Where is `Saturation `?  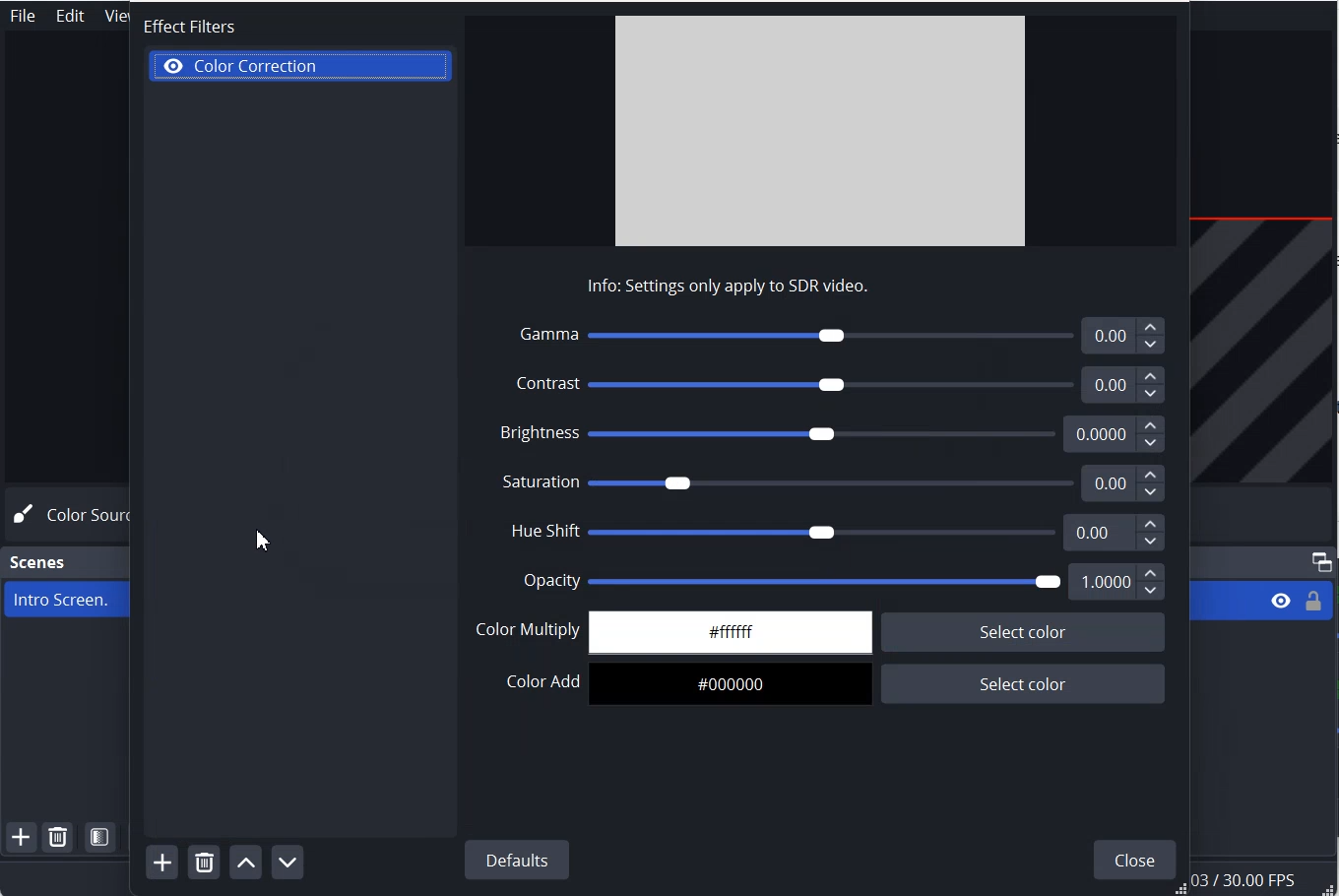
Saturation  is located at coordinates (836, 483).